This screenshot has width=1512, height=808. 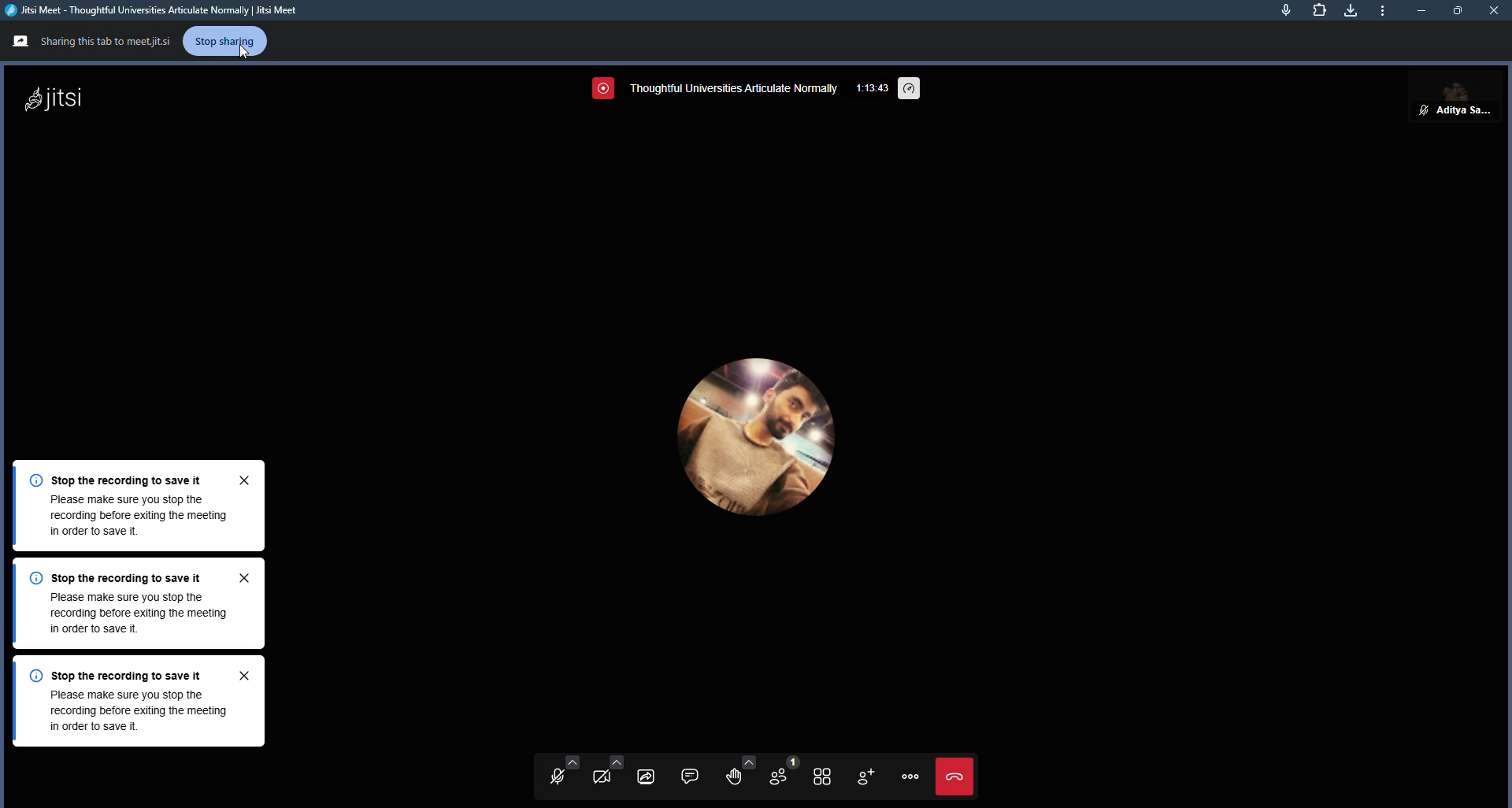 I want to click on jitsi, so click(x=62, y=98).